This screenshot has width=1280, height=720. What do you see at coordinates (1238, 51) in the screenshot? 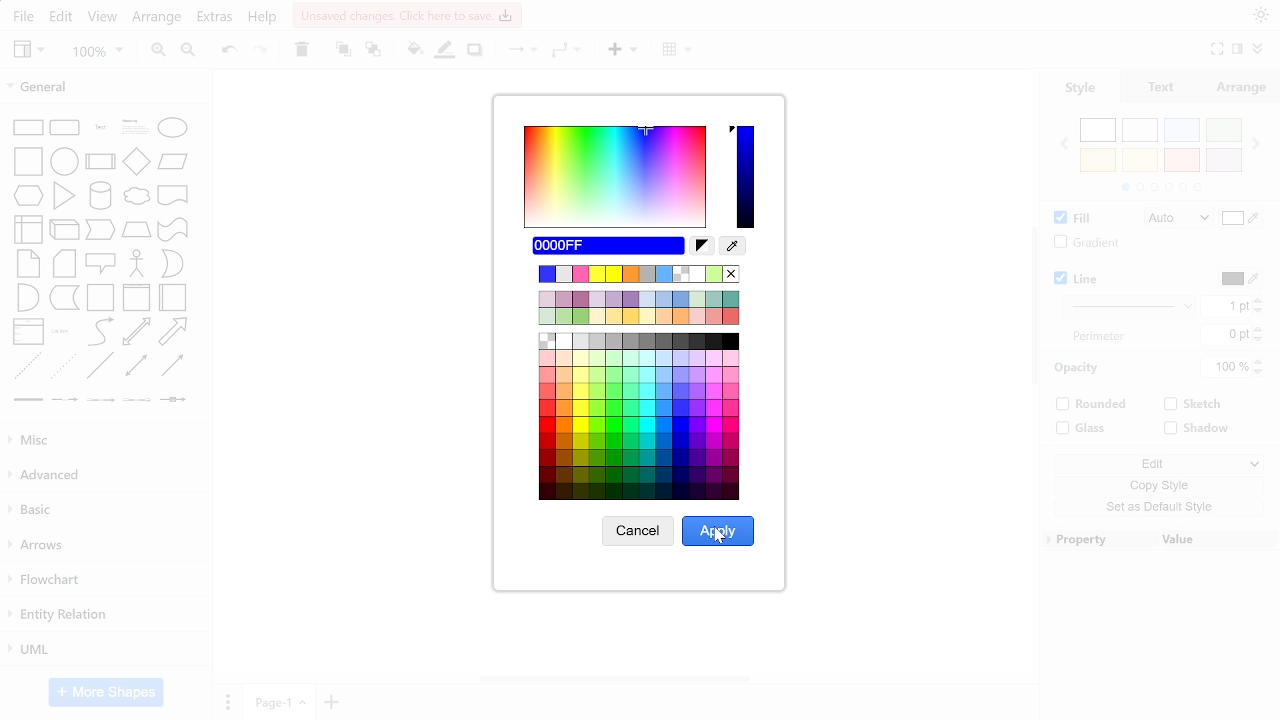
I see `collapse` at bounding box center [1238, 51].